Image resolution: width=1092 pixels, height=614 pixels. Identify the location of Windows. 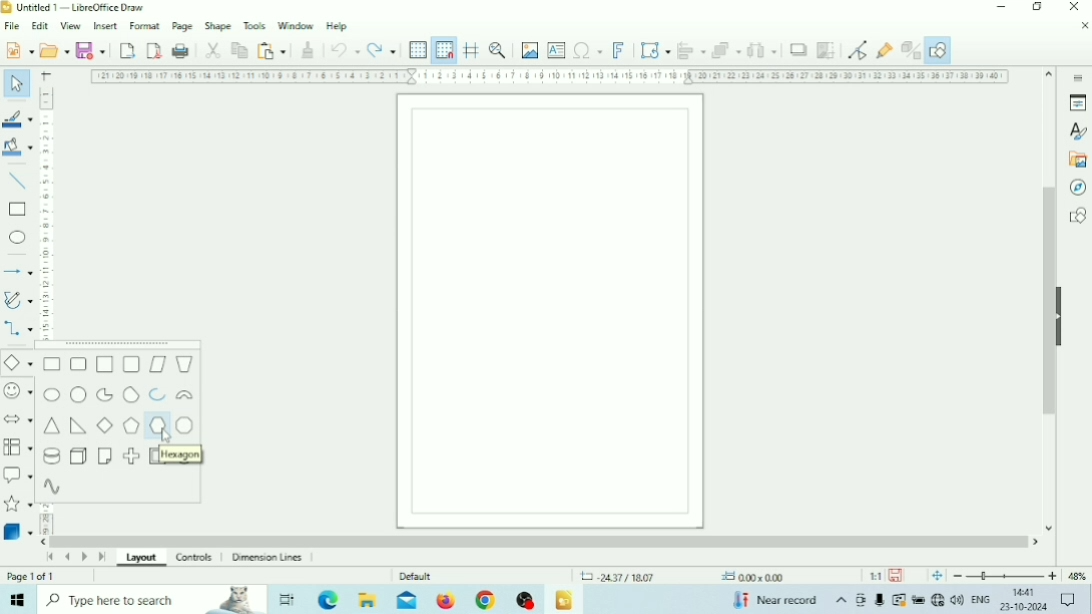
(16, 600).